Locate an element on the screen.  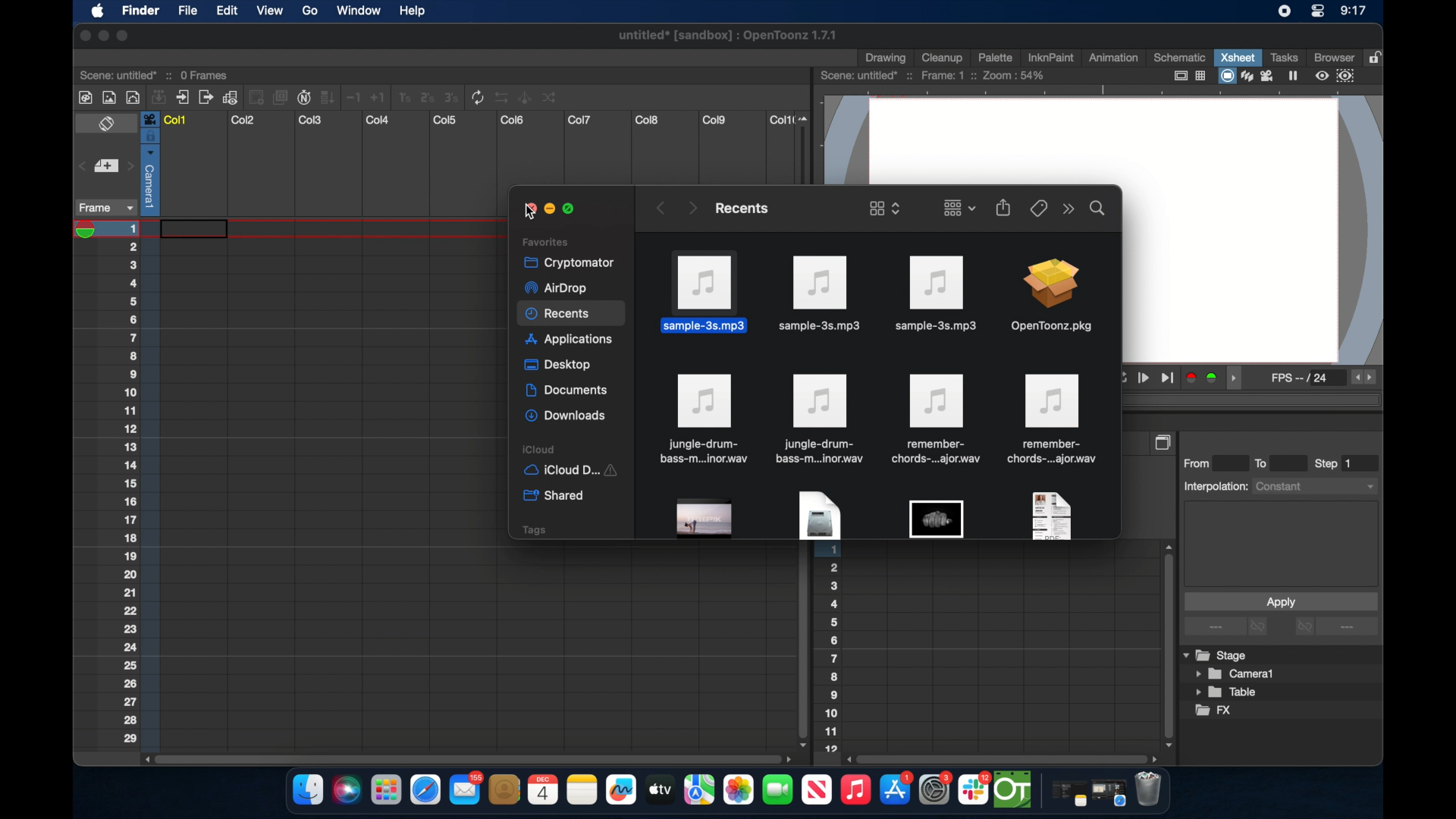
opentoonz is located at coordinates (1014, 790).